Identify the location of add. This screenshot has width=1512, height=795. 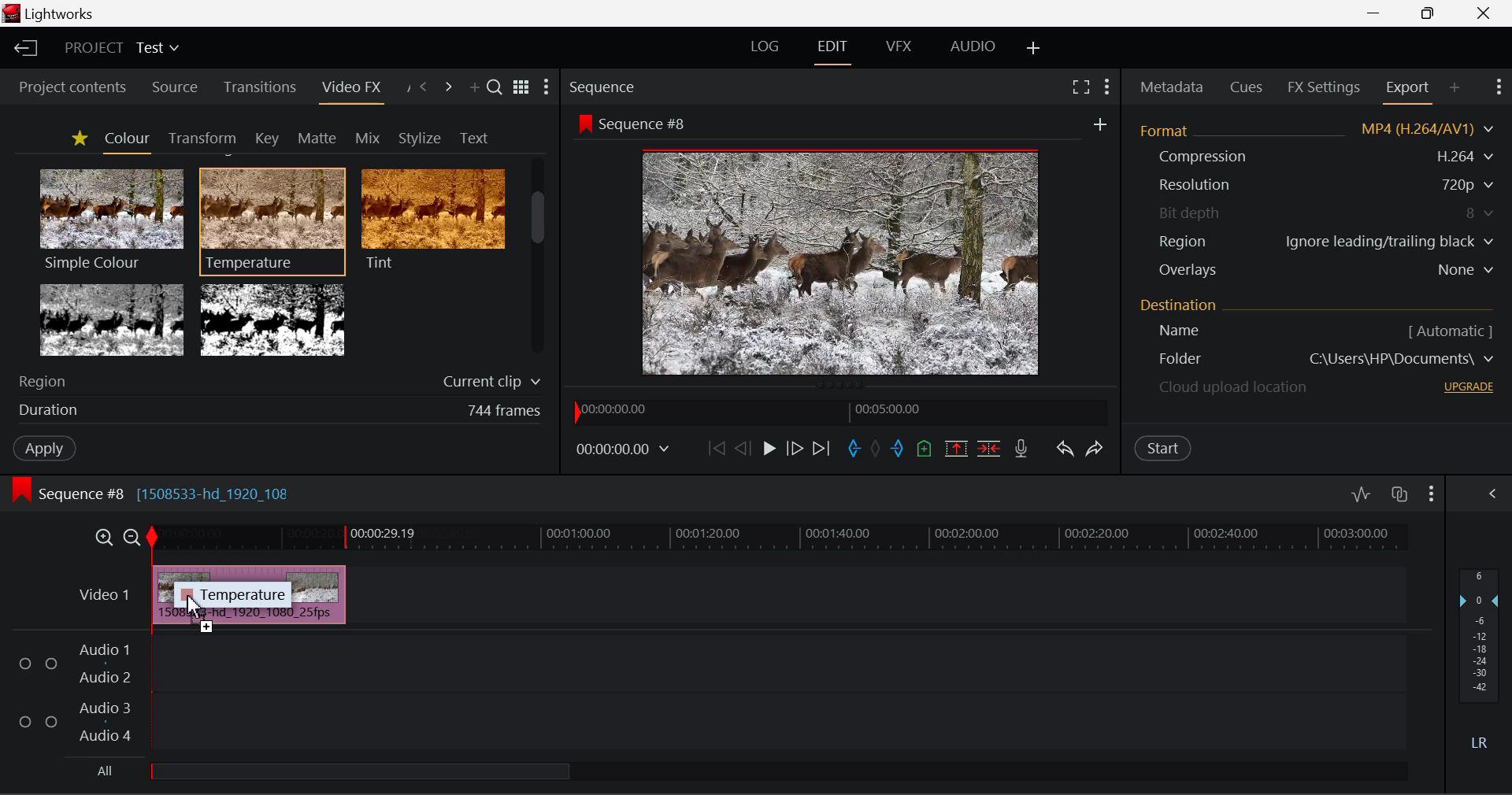
(1099, 124).